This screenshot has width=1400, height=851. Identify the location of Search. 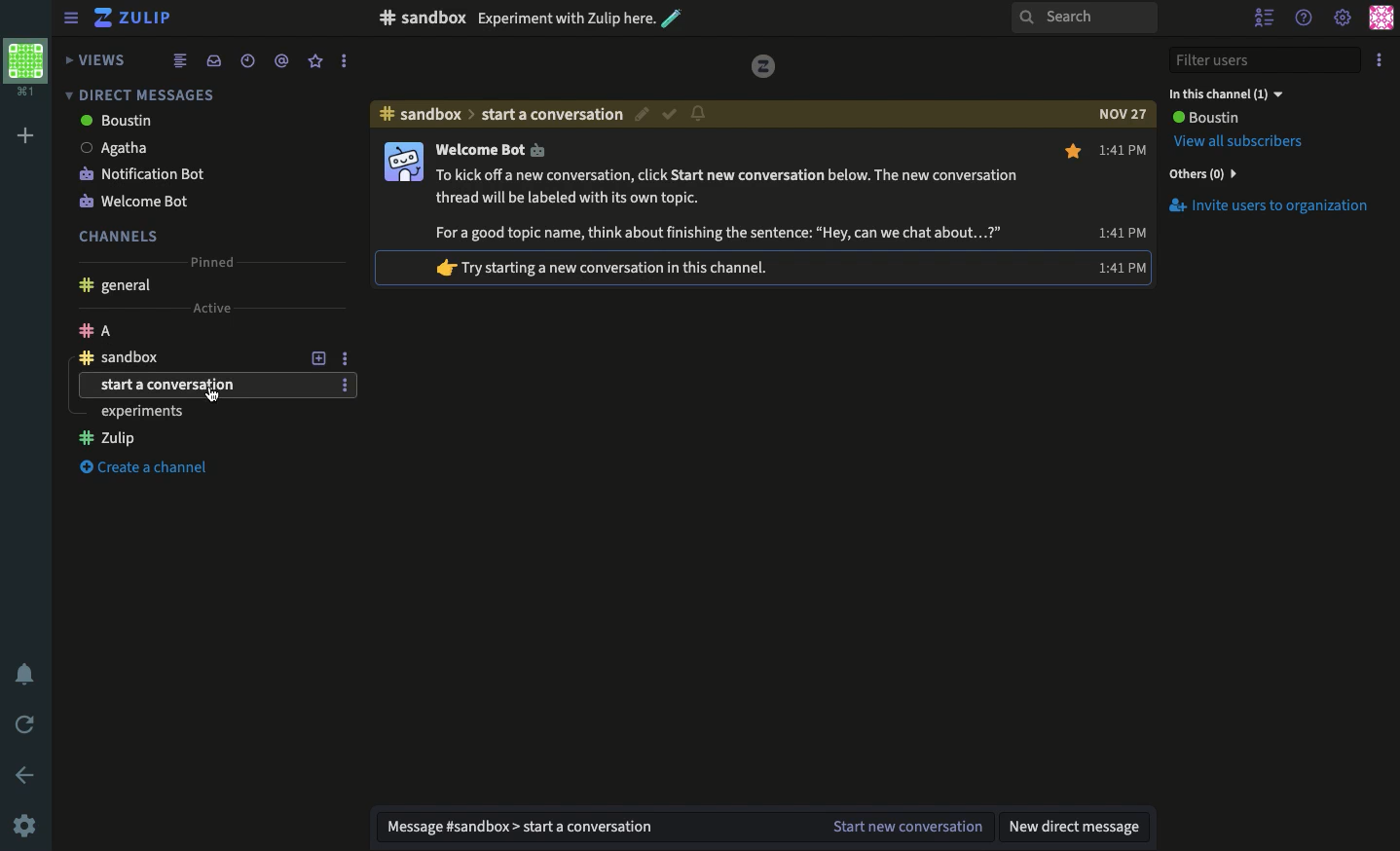
(1083, 18).